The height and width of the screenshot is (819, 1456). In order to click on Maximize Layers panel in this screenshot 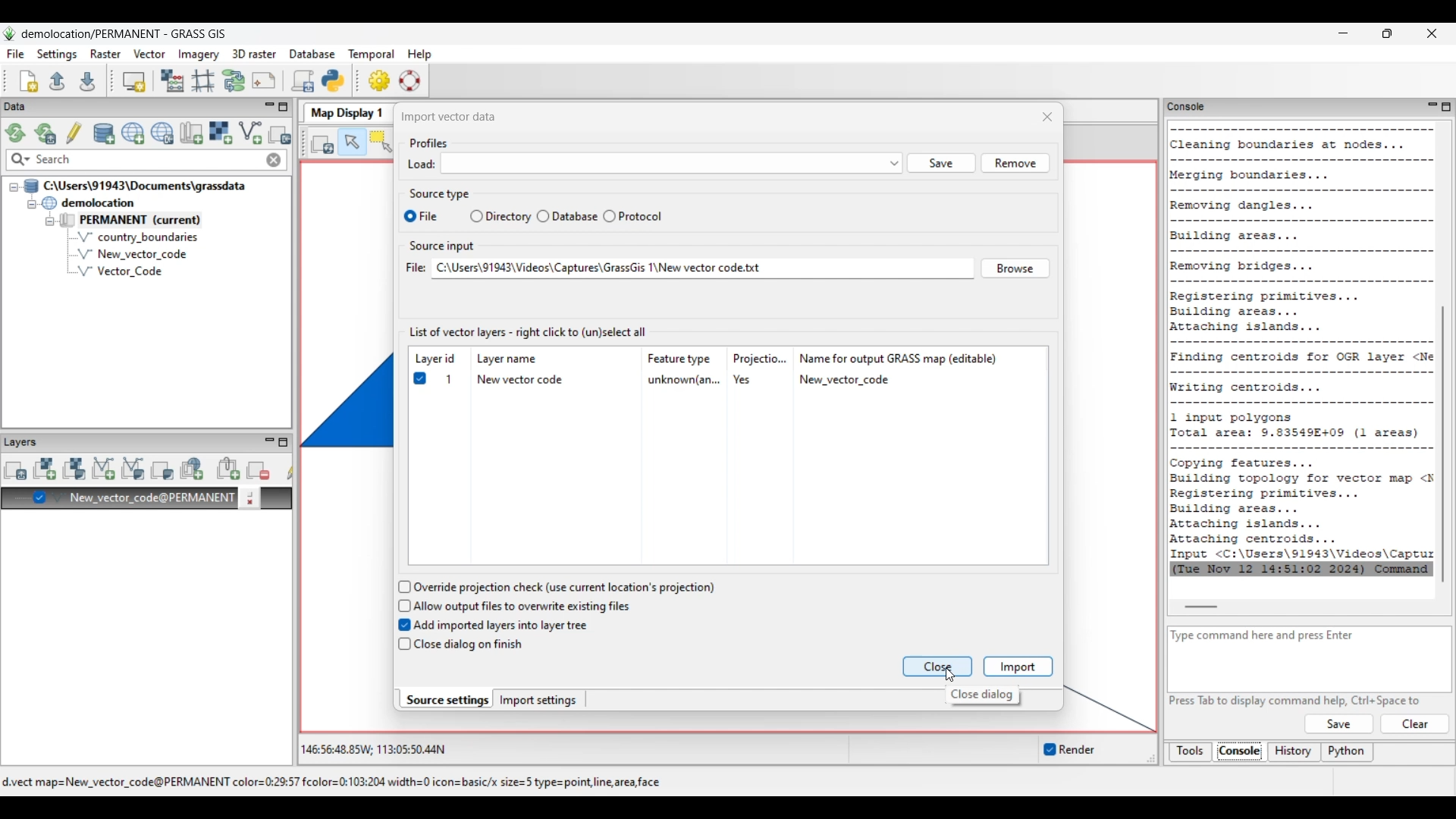, I will do `click(284, 442)`.